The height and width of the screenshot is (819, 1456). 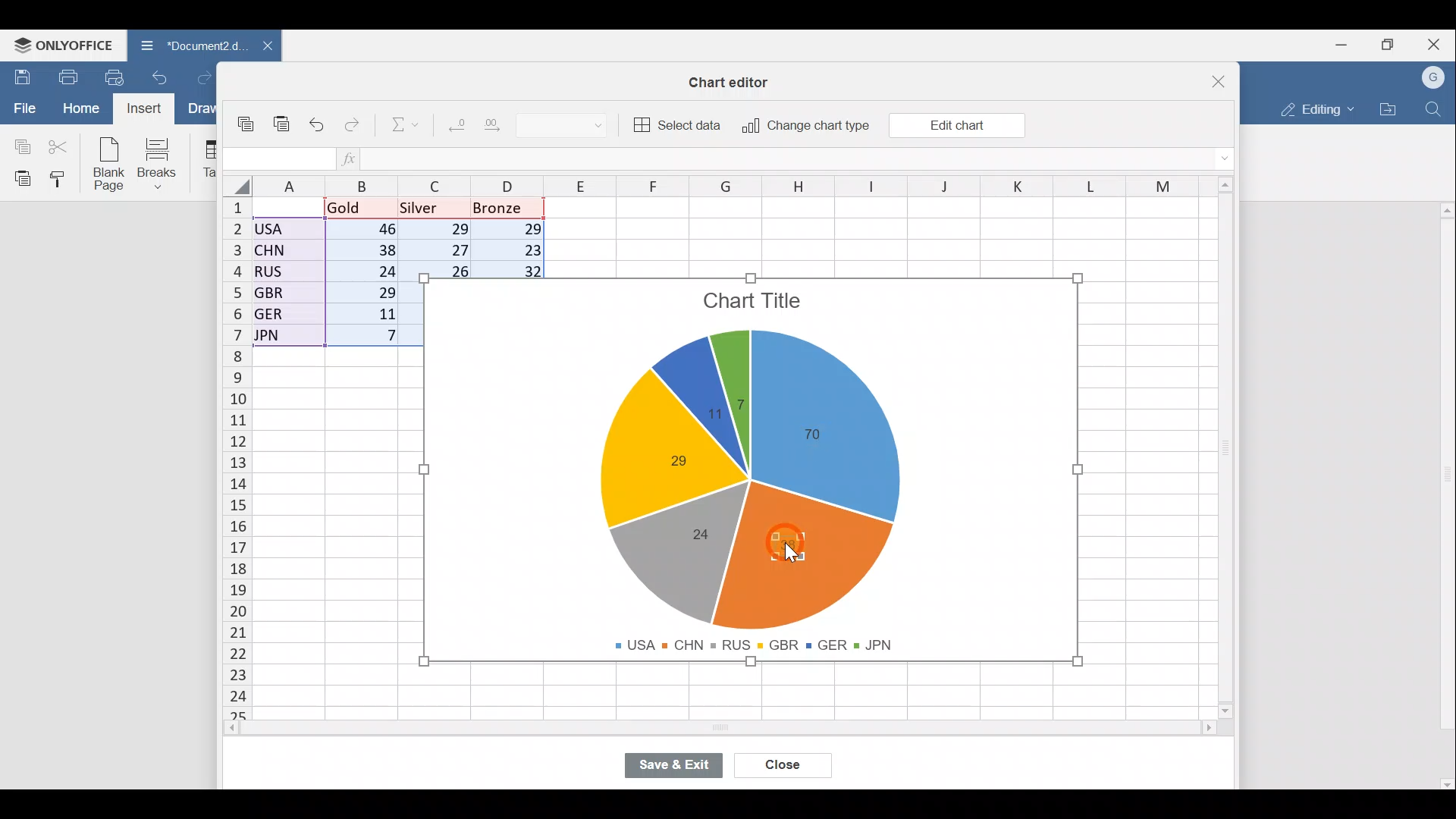 I want to click on Document name, so click(x=188, y=47).